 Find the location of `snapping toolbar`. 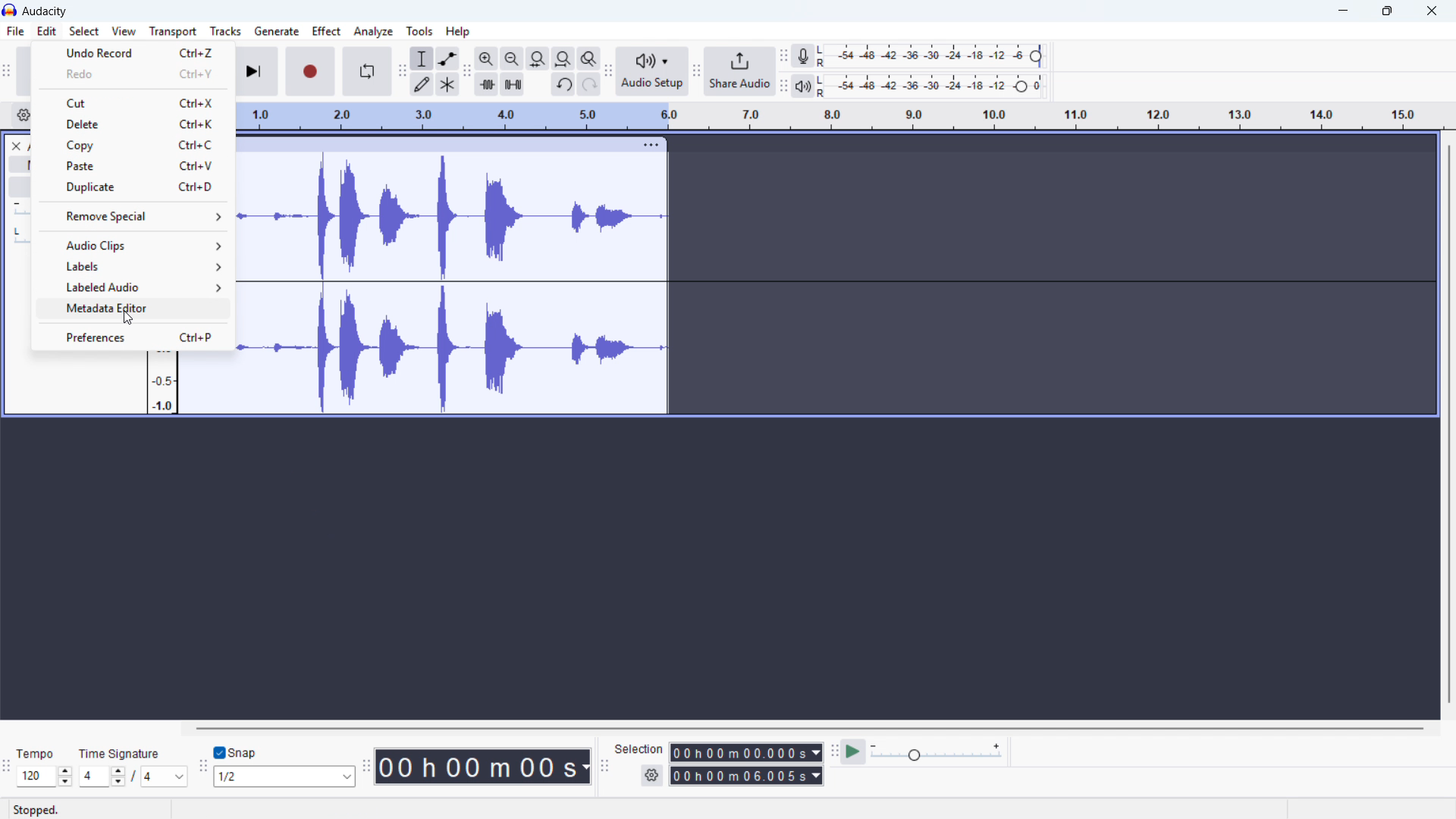

snapping toolbar is located at coordinates (201, 768).